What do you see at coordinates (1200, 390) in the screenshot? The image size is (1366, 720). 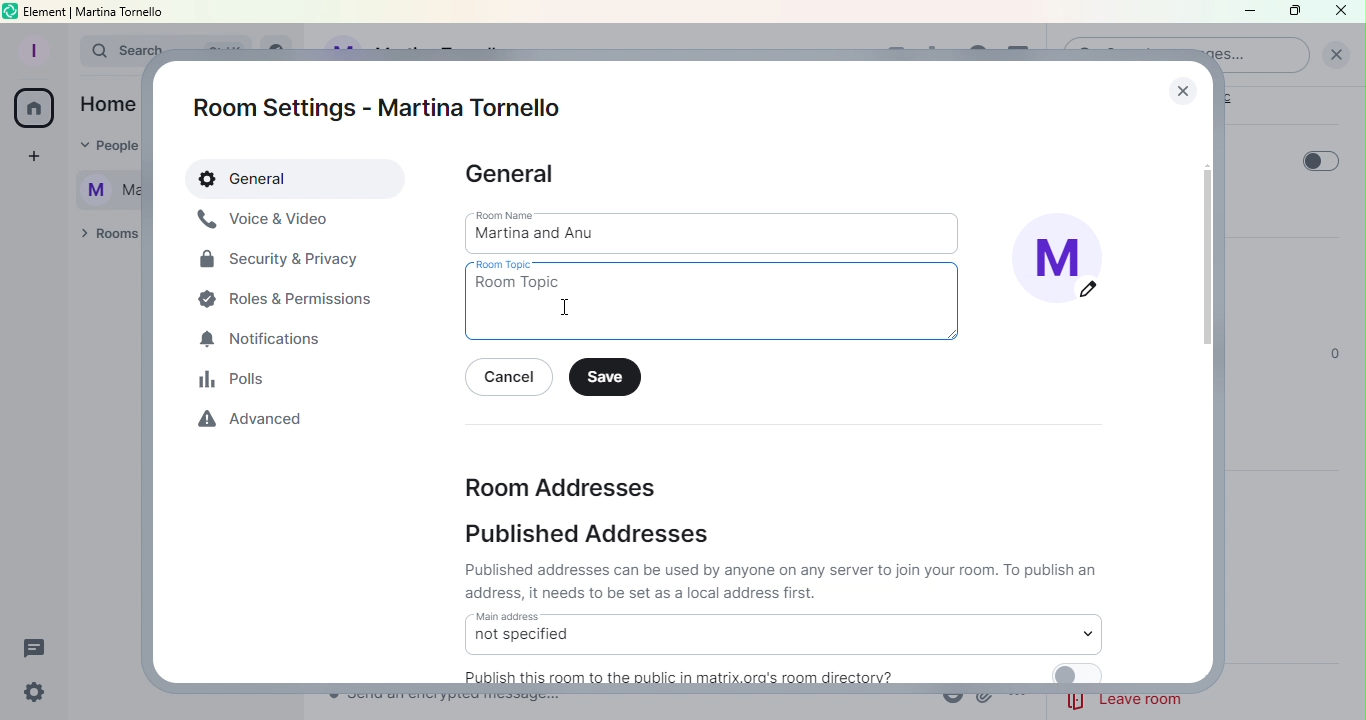 I see `Scroll bar` at bounding box center [1200, 390].